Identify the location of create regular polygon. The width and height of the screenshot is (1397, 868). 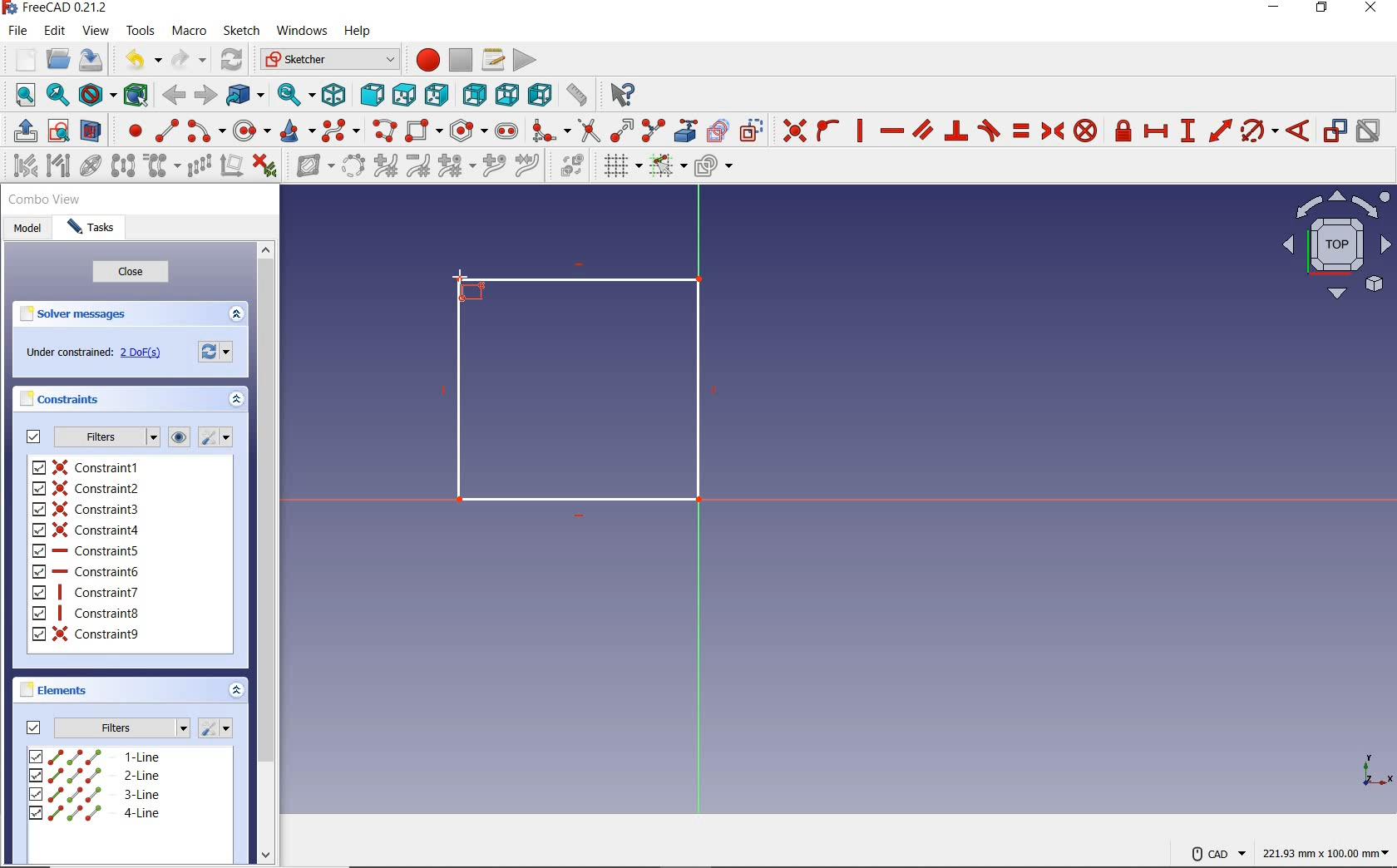
(467, 131).